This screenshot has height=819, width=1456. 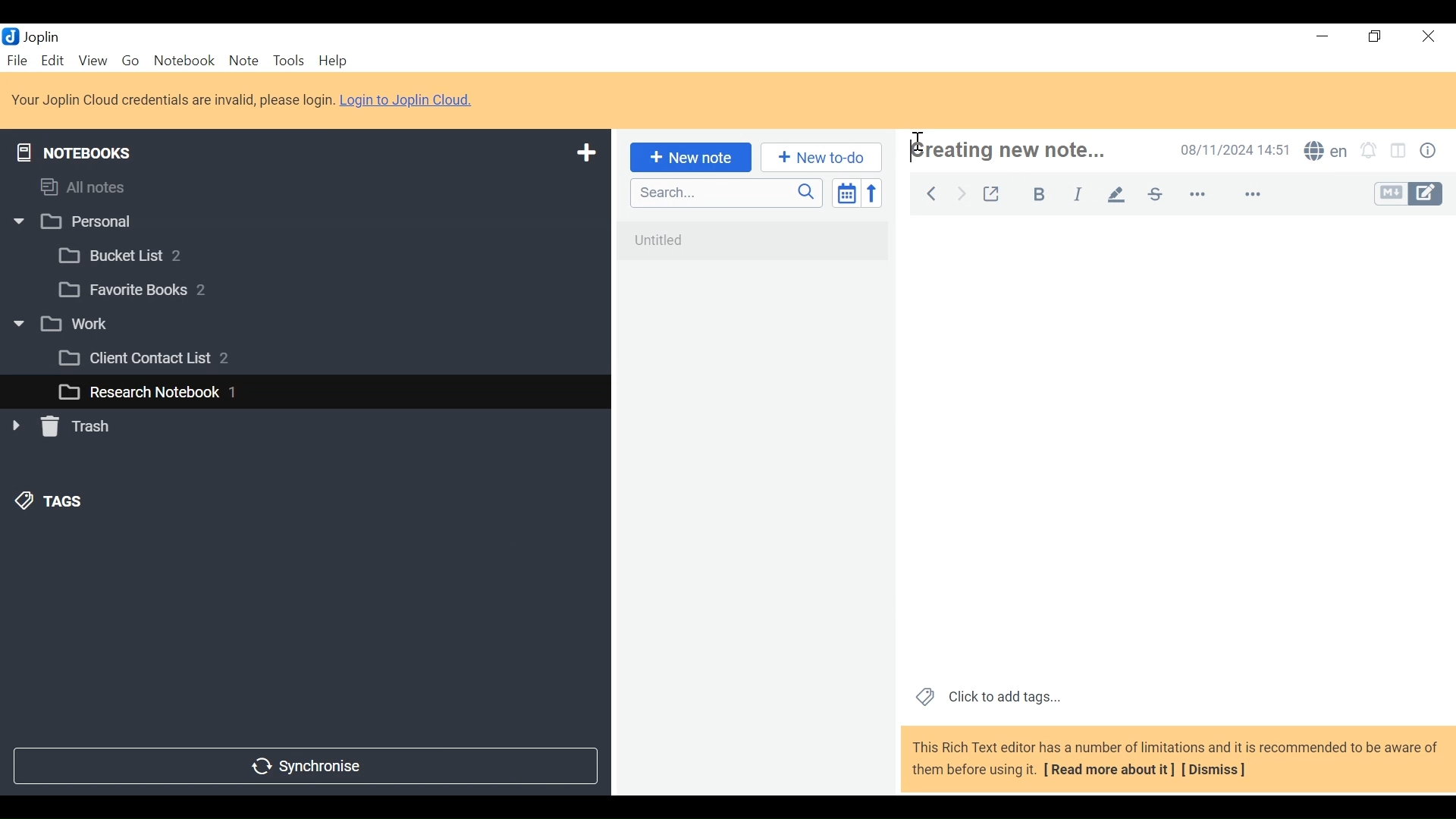 I want to click on Add New to Do, so click(x=821, y=158).